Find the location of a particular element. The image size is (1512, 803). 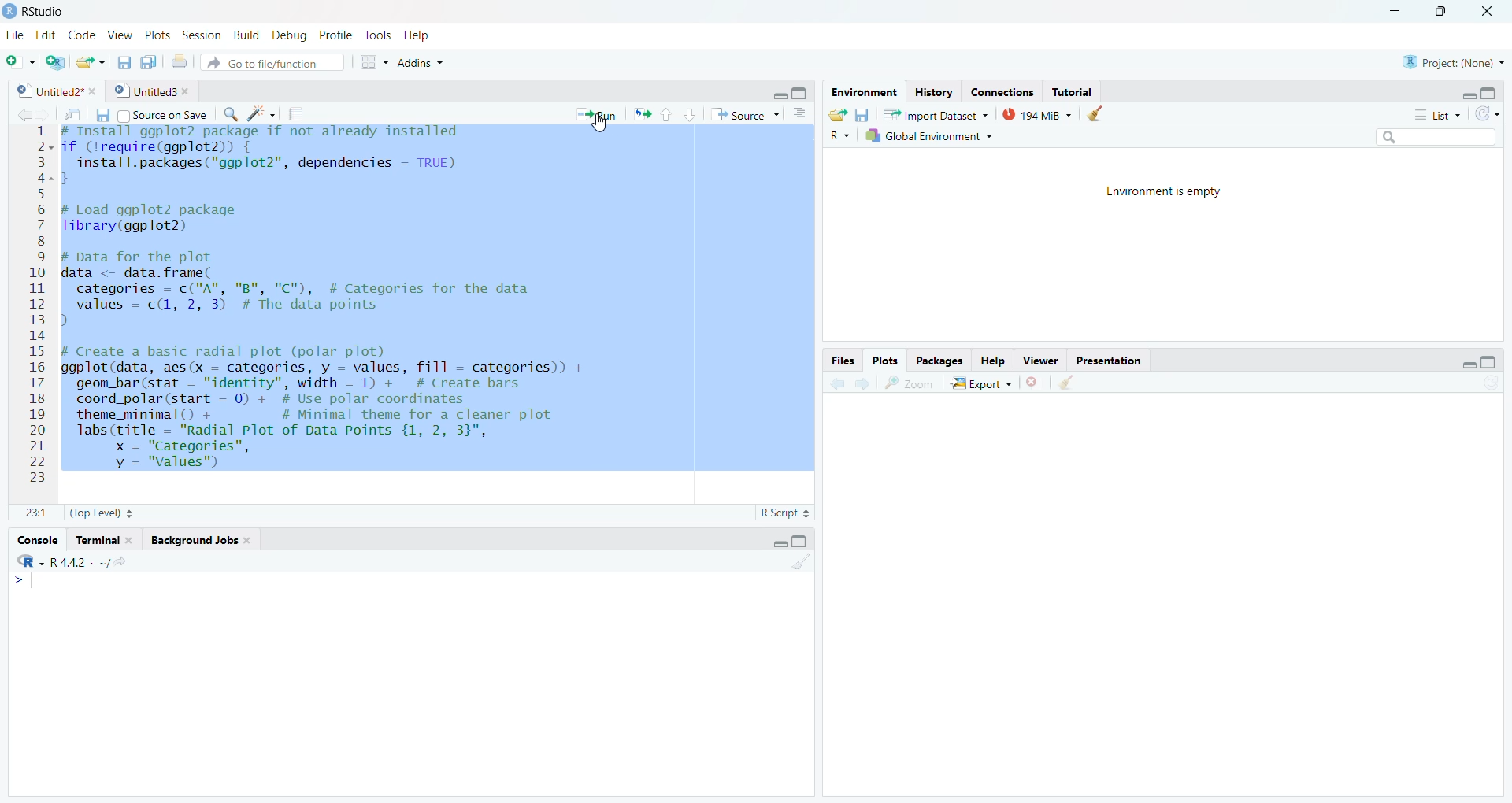

Cleaner is located at coordinates (800, 564).